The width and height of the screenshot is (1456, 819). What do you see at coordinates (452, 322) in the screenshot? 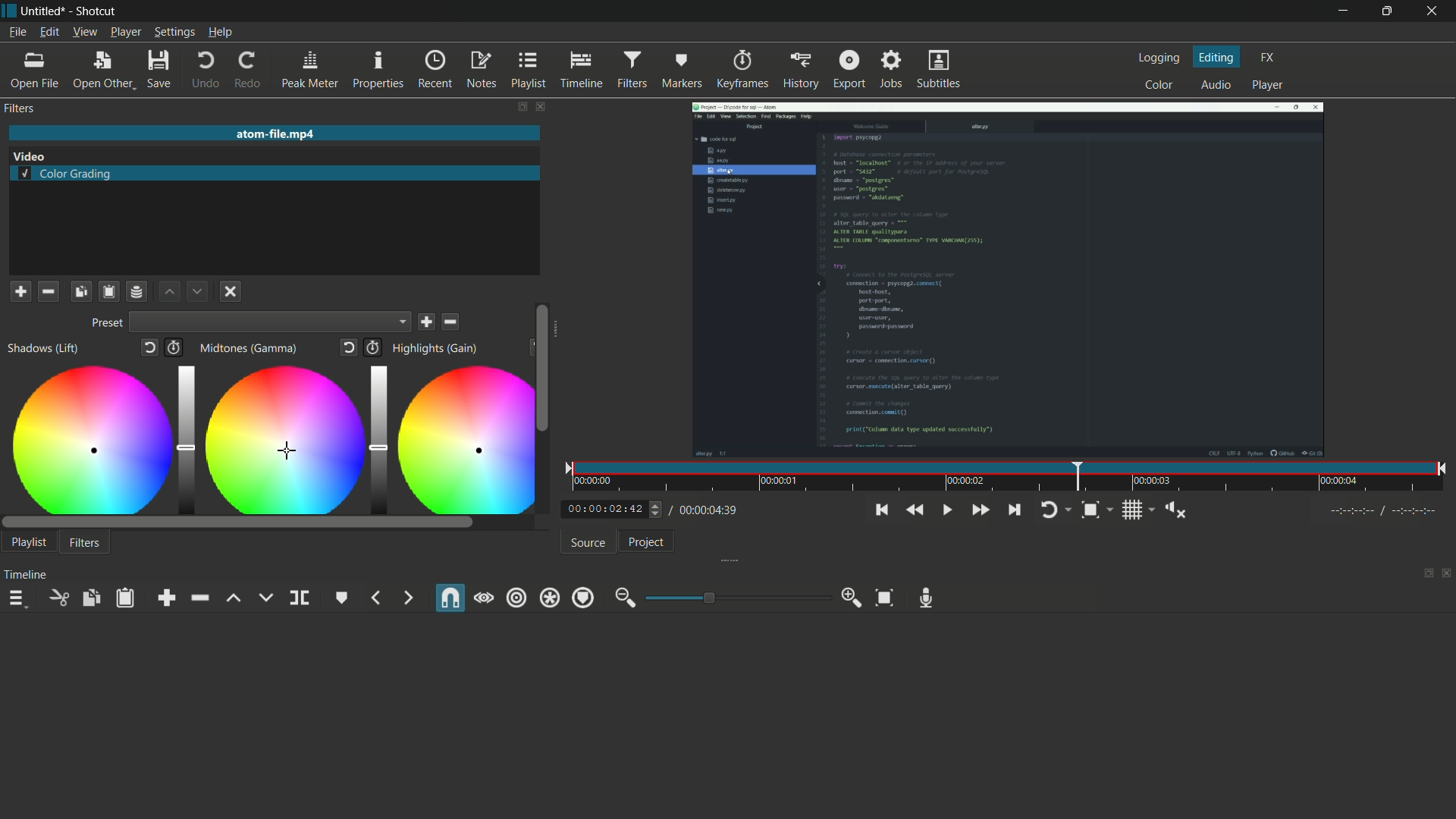
I see `delete` at bounding box center [452, 322].